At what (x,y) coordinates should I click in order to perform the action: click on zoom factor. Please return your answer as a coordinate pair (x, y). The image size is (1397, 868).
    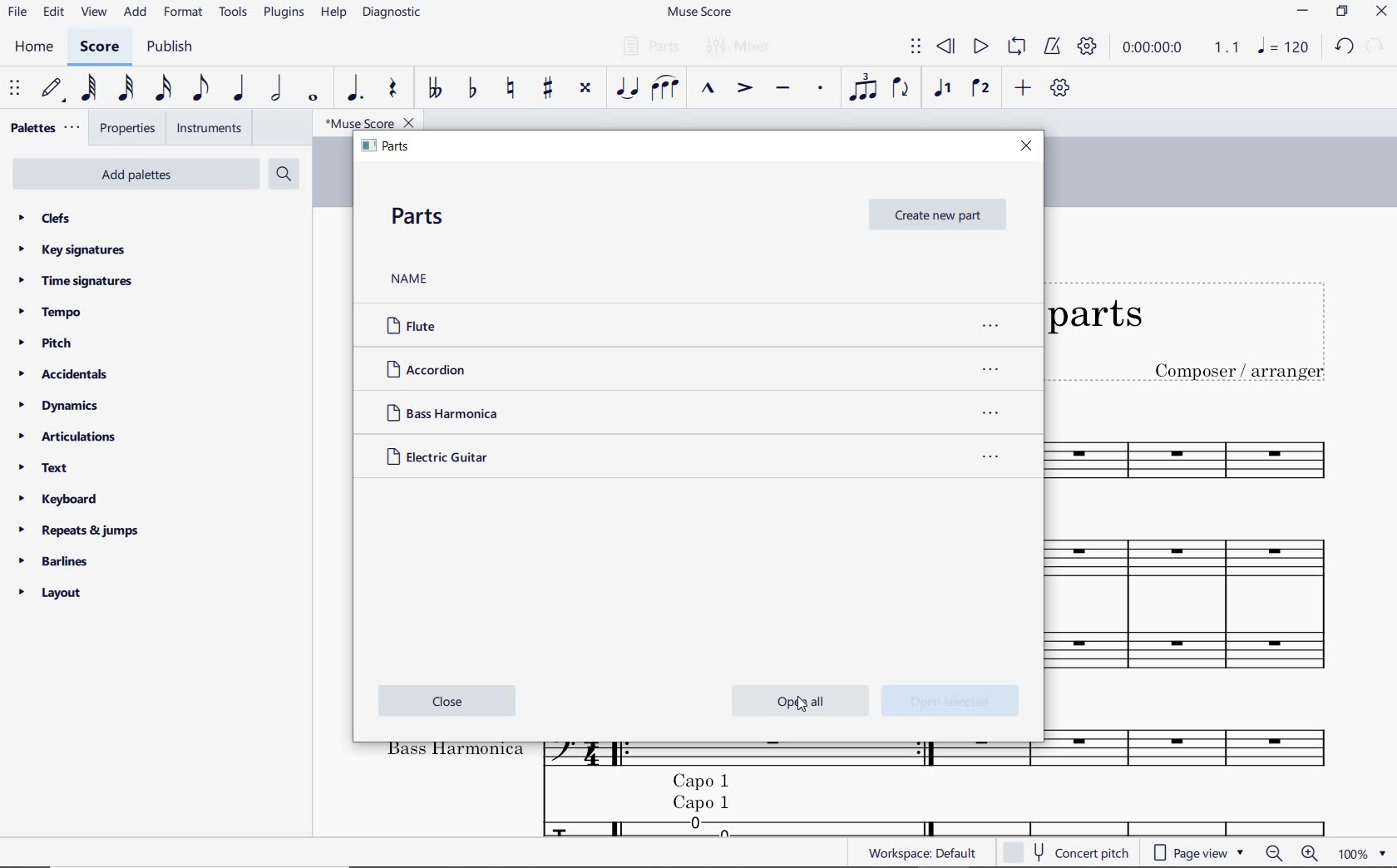
    Looking at the image, I should click on (1360, 854).